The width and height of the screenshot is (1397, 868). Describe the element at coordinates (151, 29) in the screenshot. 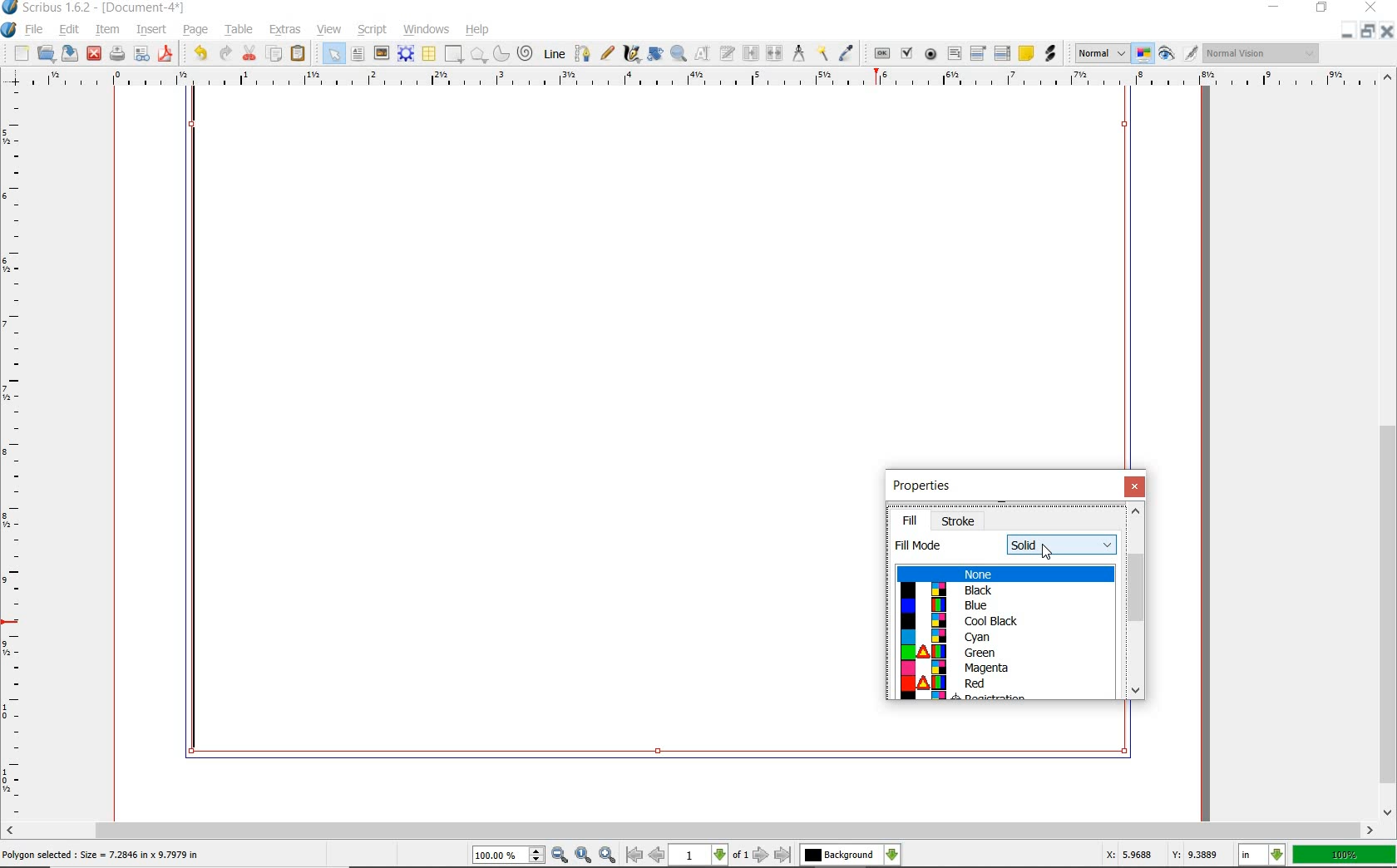

I see `insert` at that location.